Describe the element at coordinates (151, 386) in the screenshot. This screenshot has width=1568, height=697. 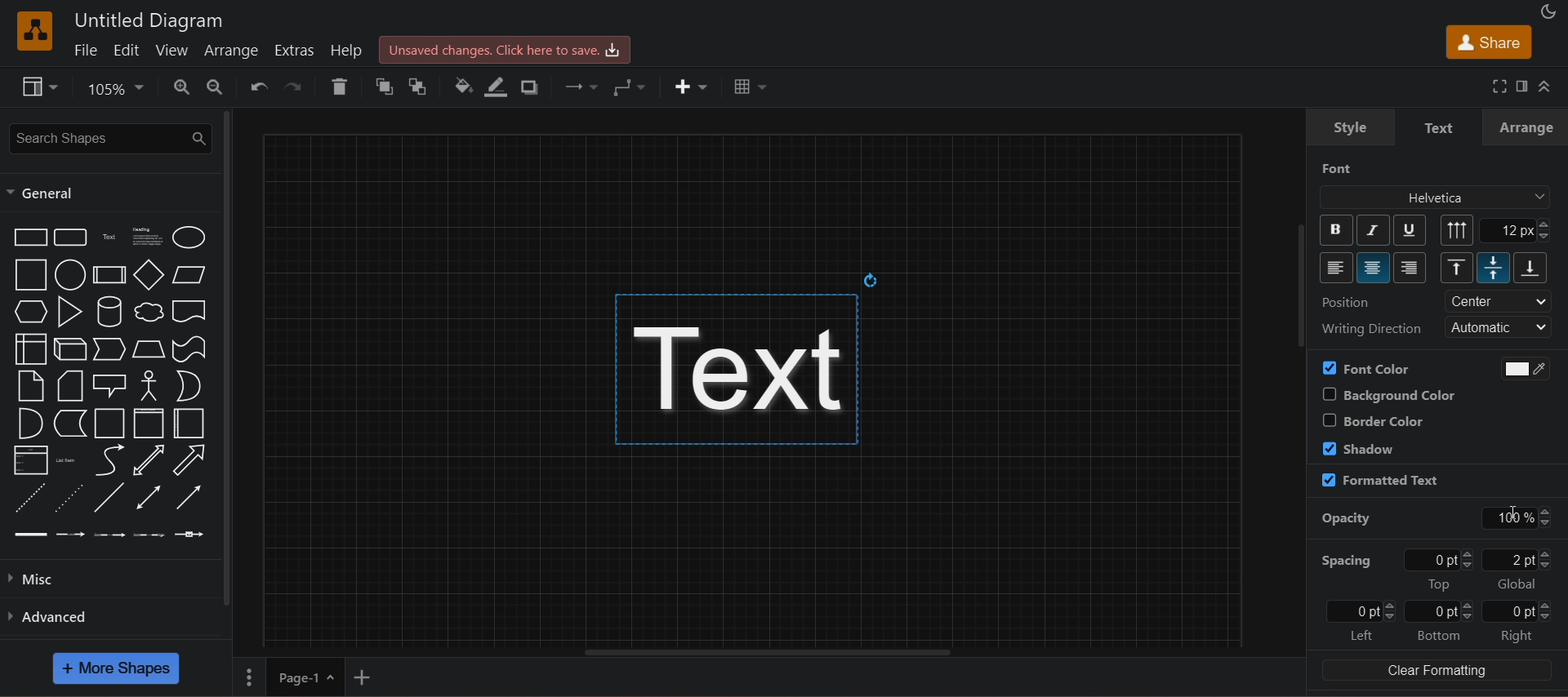
I see `actor` at that location.